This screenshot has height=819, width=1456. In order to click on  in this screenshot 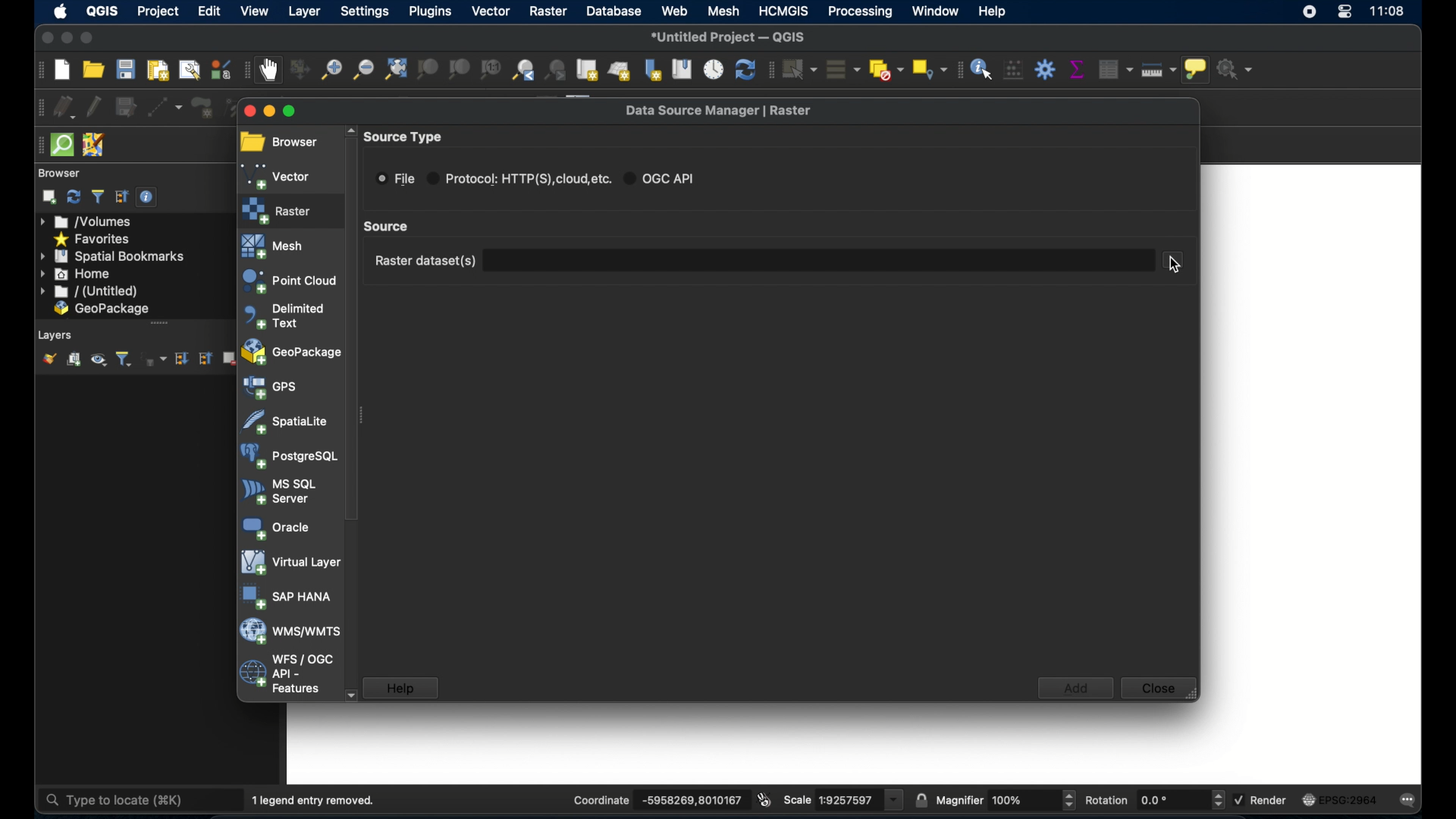, I will do `click(1012, 800)`.